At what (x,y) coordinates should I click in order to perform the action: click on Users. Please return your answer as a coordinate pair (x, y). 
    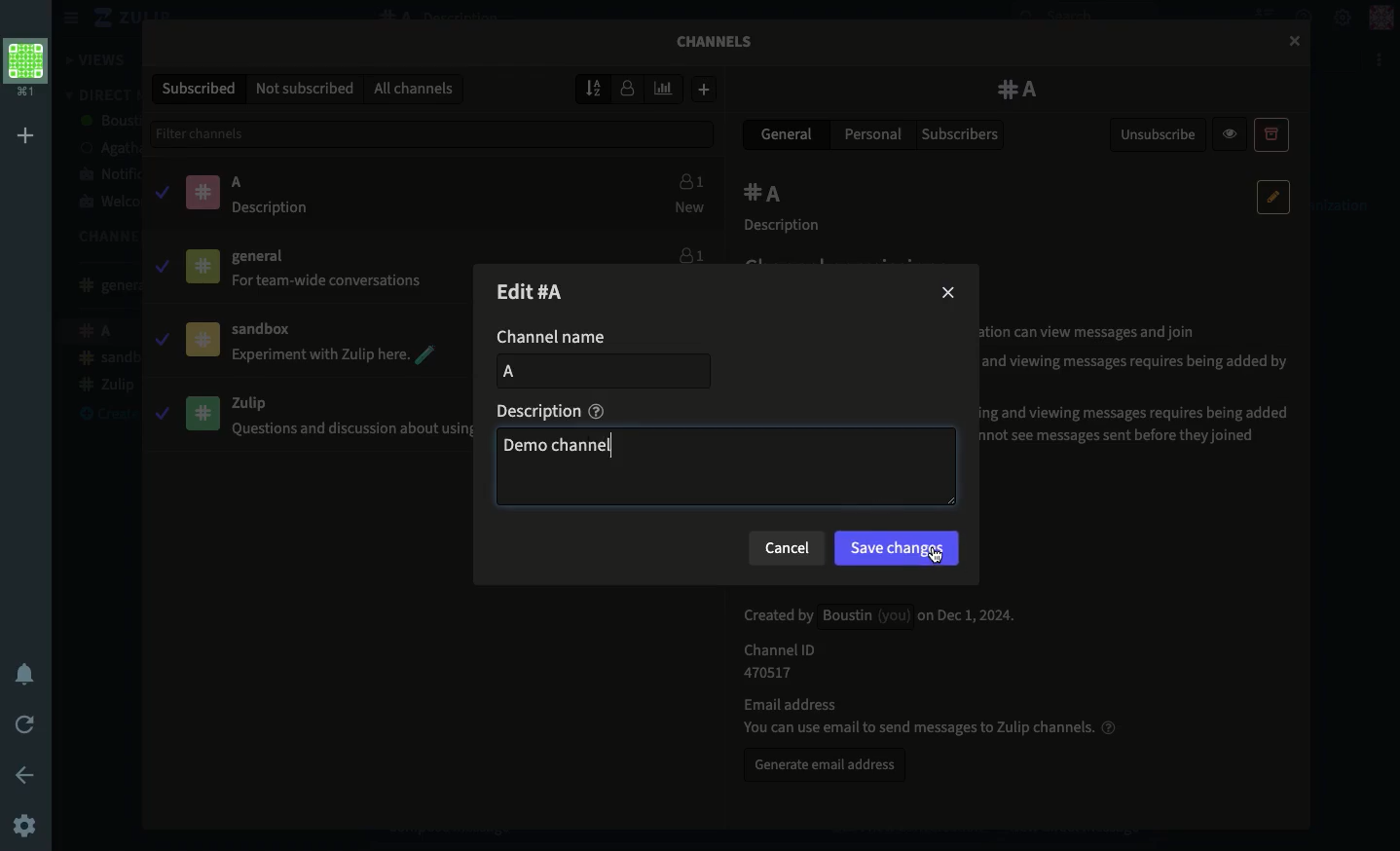
    Looking at the image, I should click on (685, 250).